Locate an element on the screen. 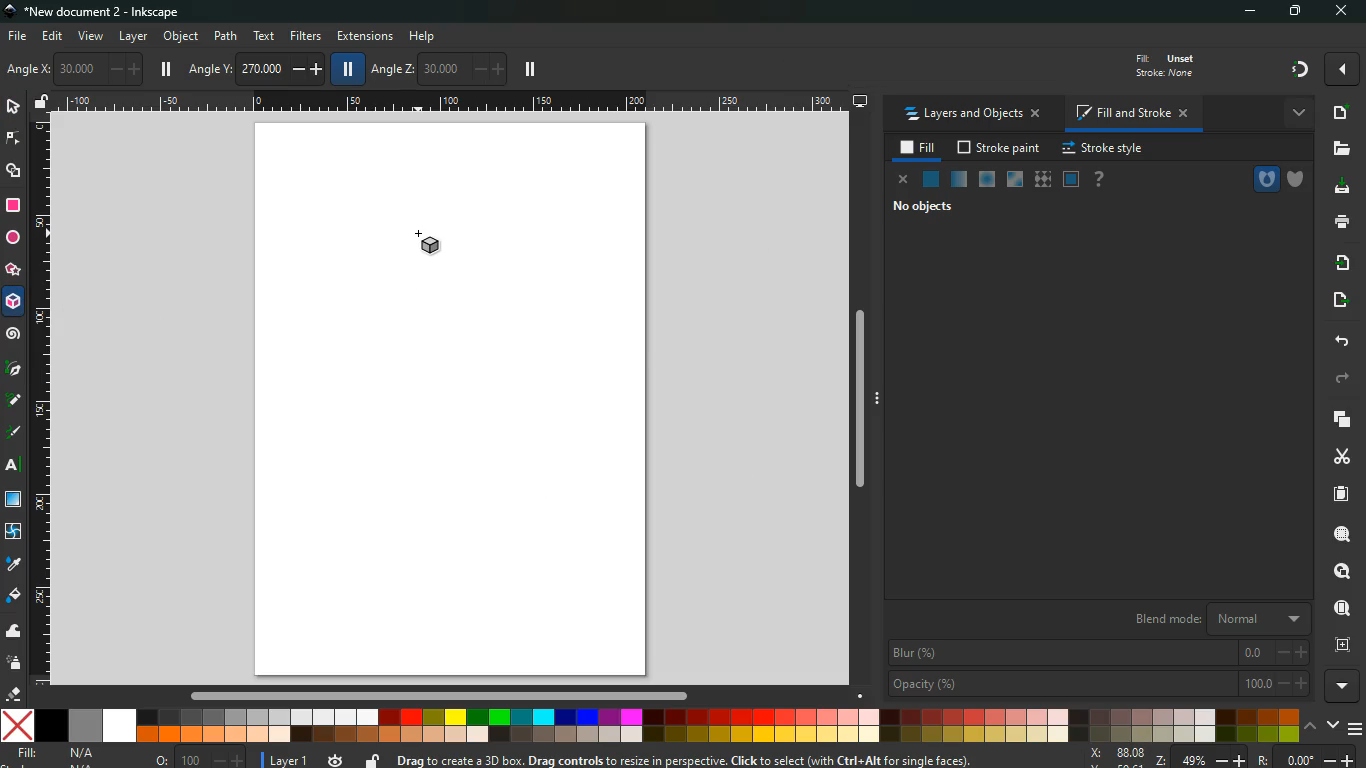 The height and width of the screenshot is (768, 1366). blend mode is located at coordinates (1211, 619).